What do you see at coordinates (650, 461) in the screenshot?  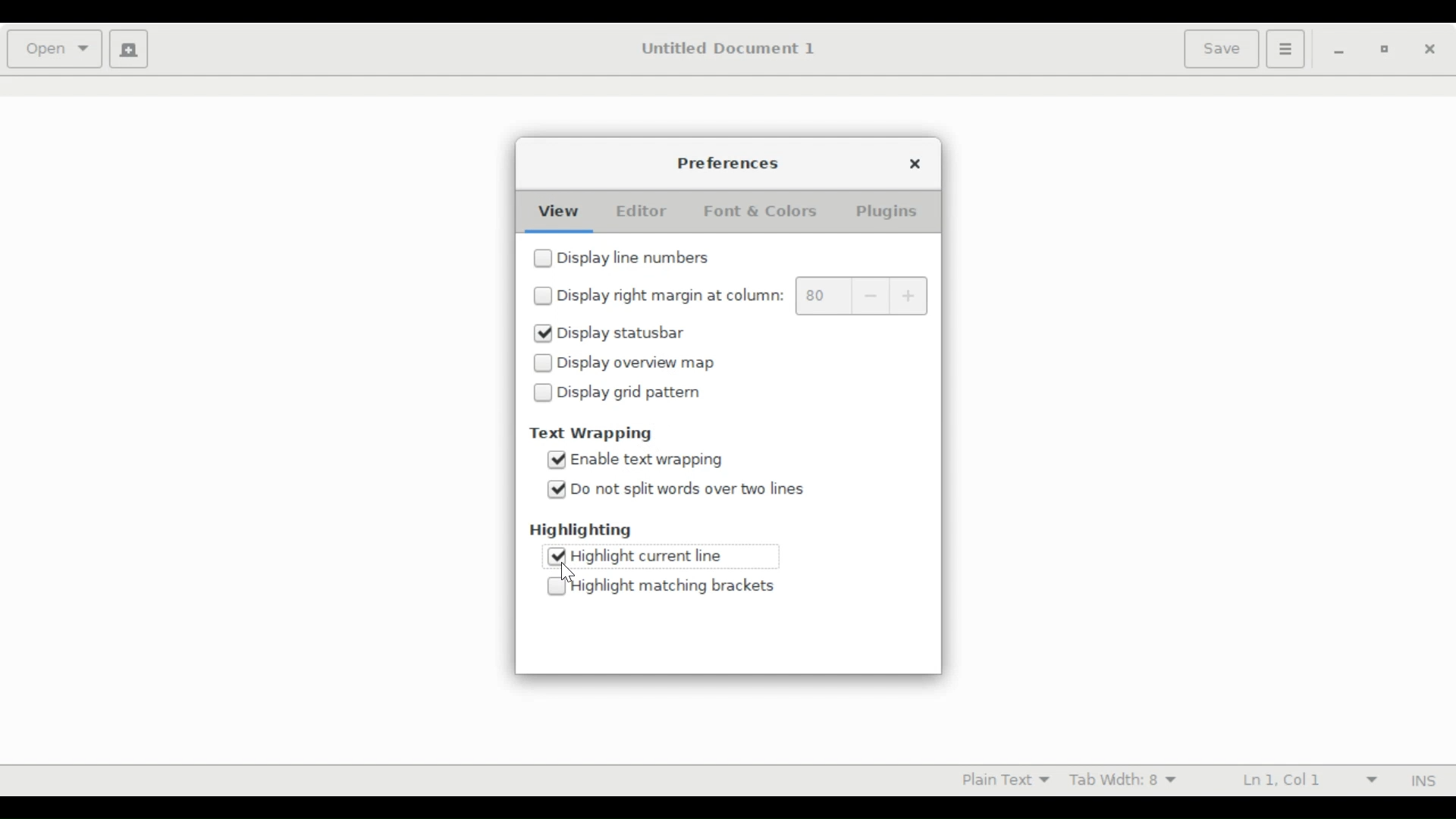 I see `Enable text wrapping` at bounding box center [650, 461].